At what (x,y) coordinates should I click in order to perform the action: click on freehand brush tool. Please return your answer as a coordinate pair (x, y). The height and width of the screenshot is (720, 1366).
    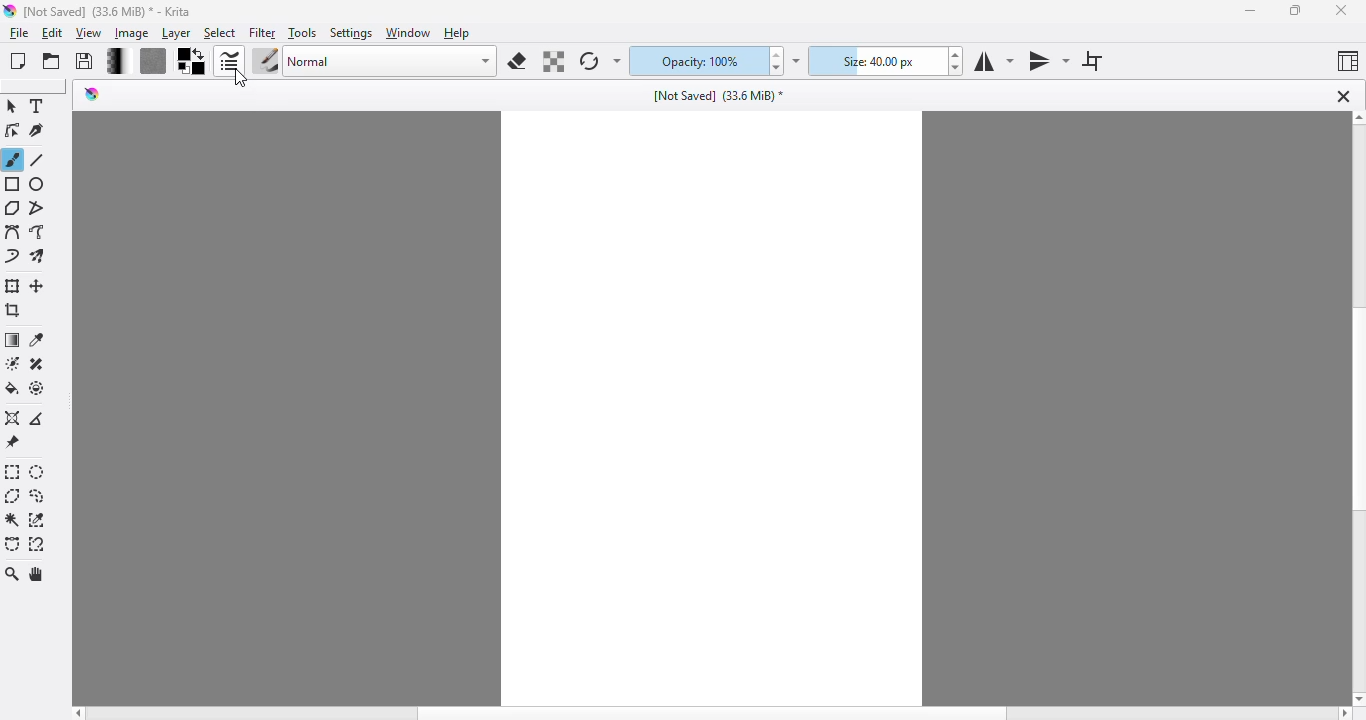
    Looking at the image, I should click on (13, 159).